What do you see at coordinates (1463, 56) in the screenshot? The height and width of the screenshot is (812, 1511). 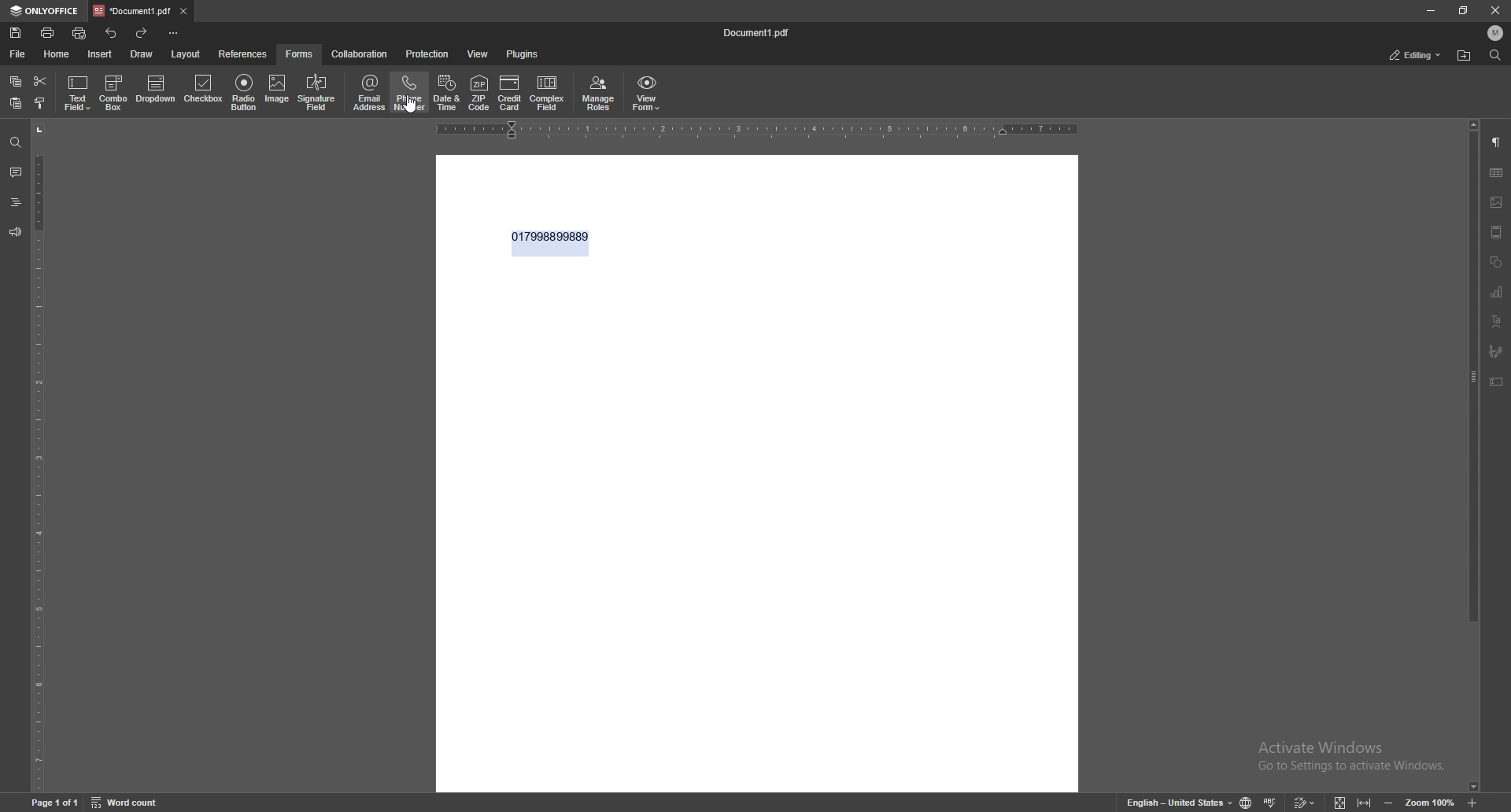 I see `locate file` at bounding box center [1463, 56].